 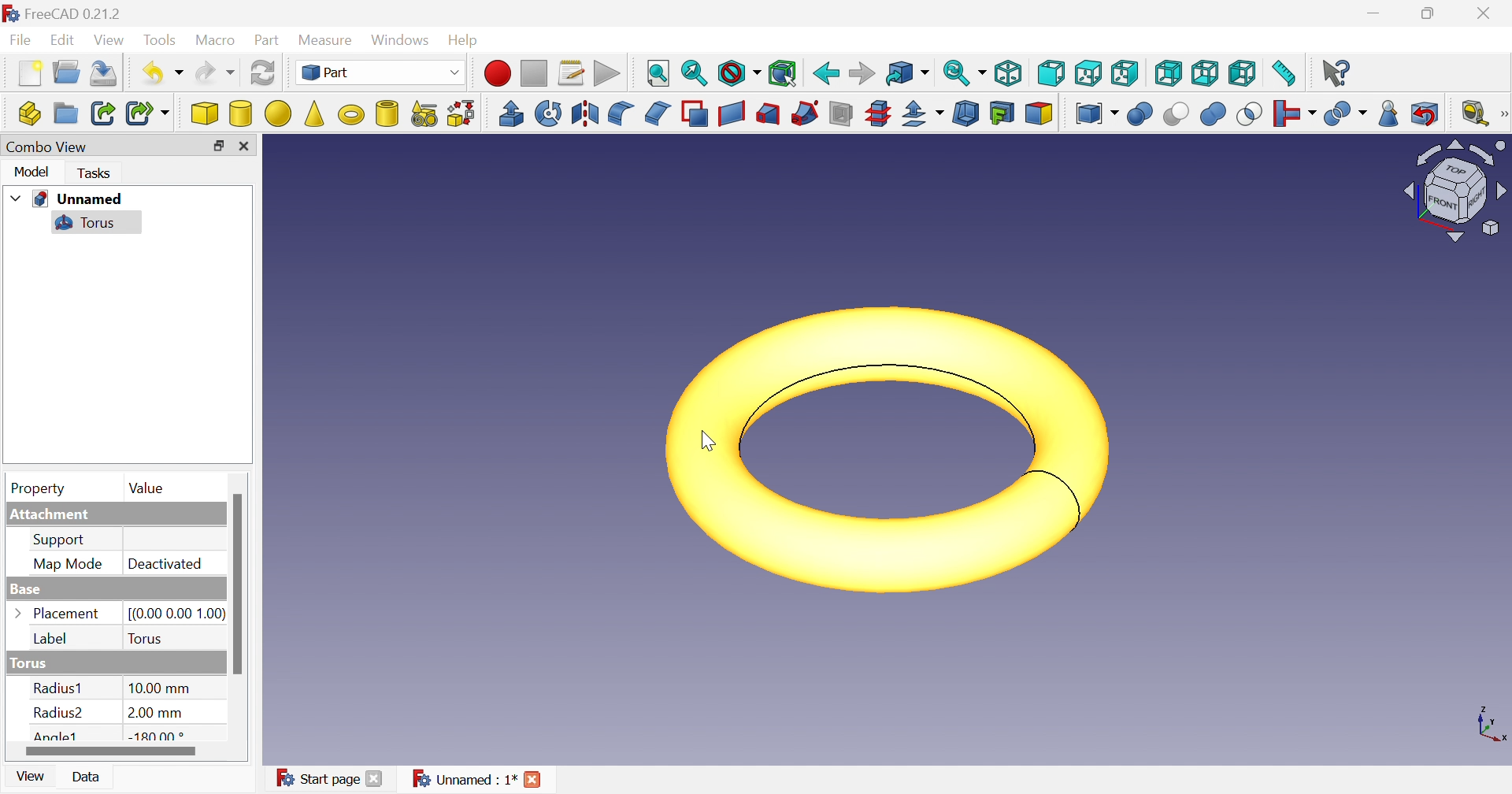 I want to click on Fit all, so click(x=660, y=74).